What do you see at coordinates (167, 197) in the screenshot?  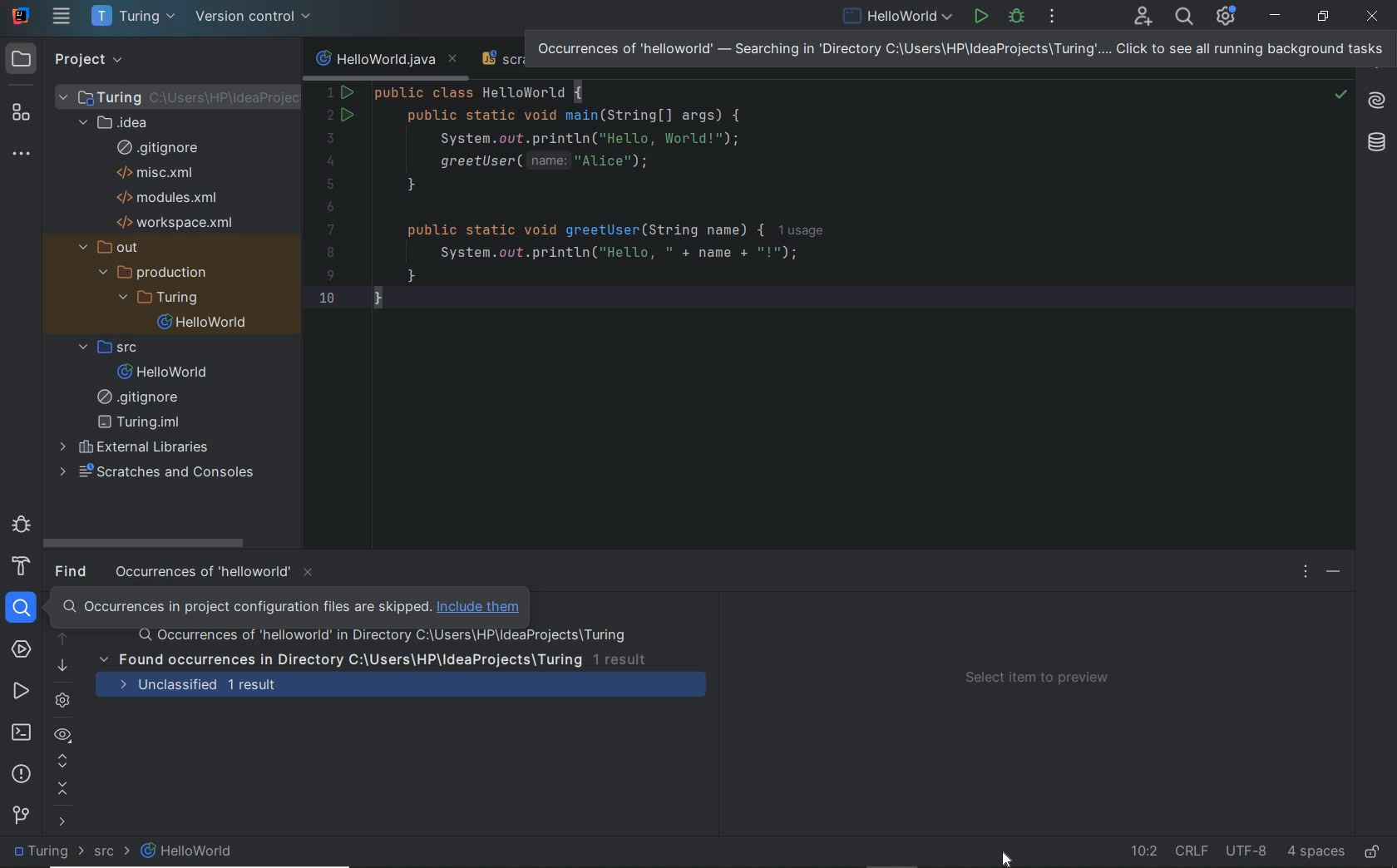 I see `modules.xml` at bounding box center [167, 197].